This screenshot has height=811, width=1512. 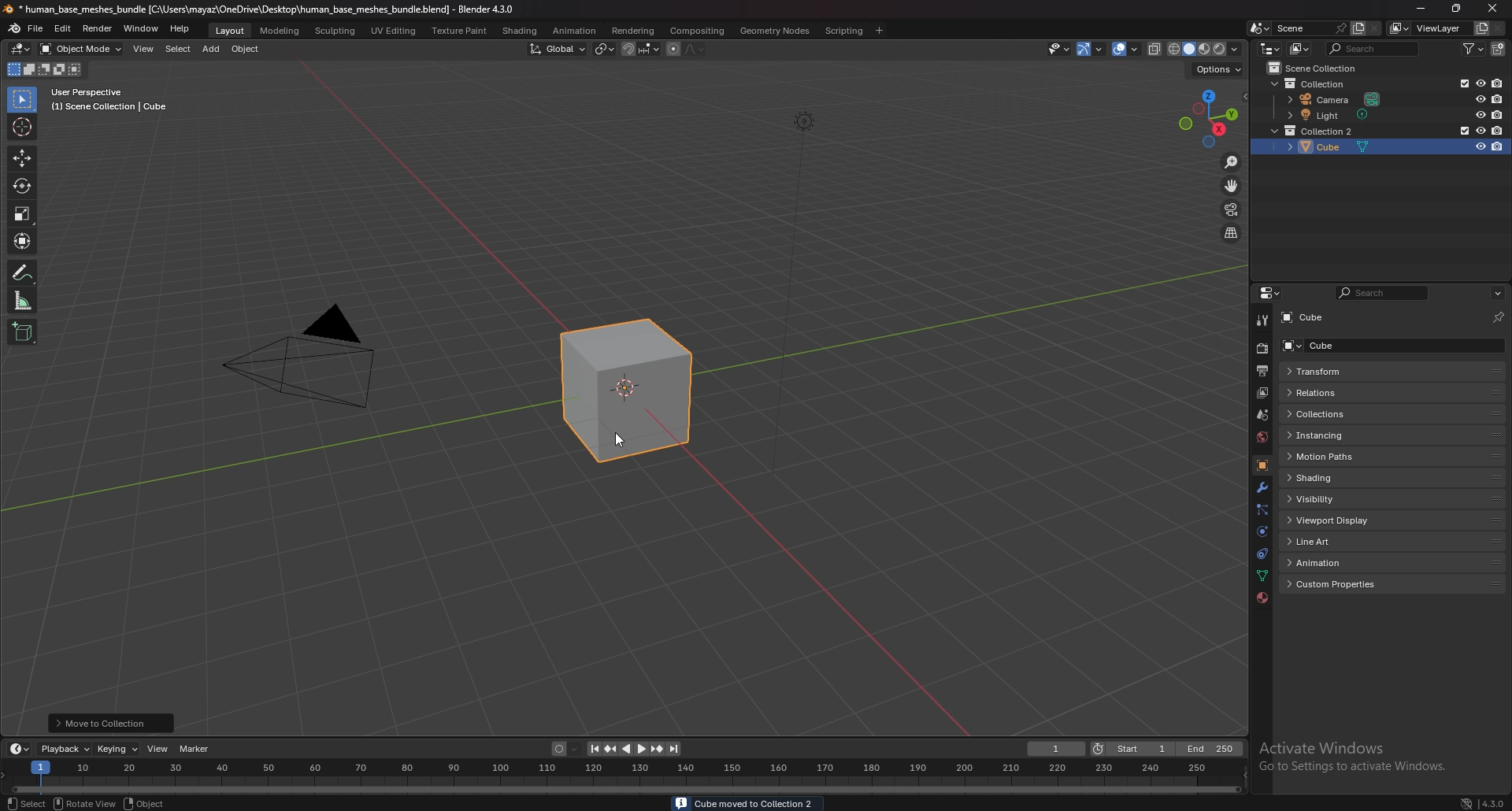 What do you see at coordinates (20, 748) in the screenshot?
I see `editor type` at bounding box center [20, 748].